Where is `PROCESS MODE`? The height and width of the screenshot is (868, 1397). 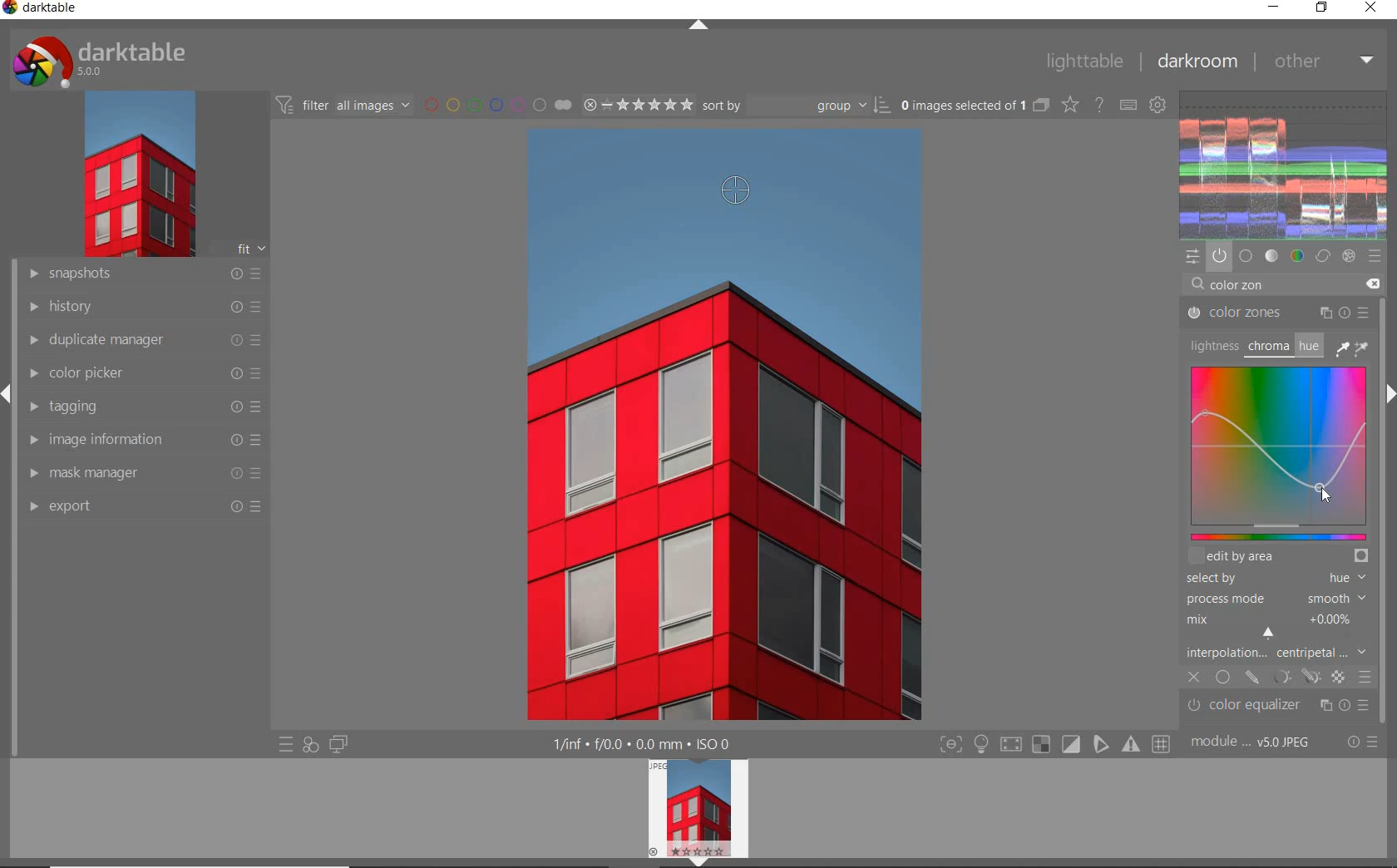
PROCESS MODE is located at coordinates (1274, 598).